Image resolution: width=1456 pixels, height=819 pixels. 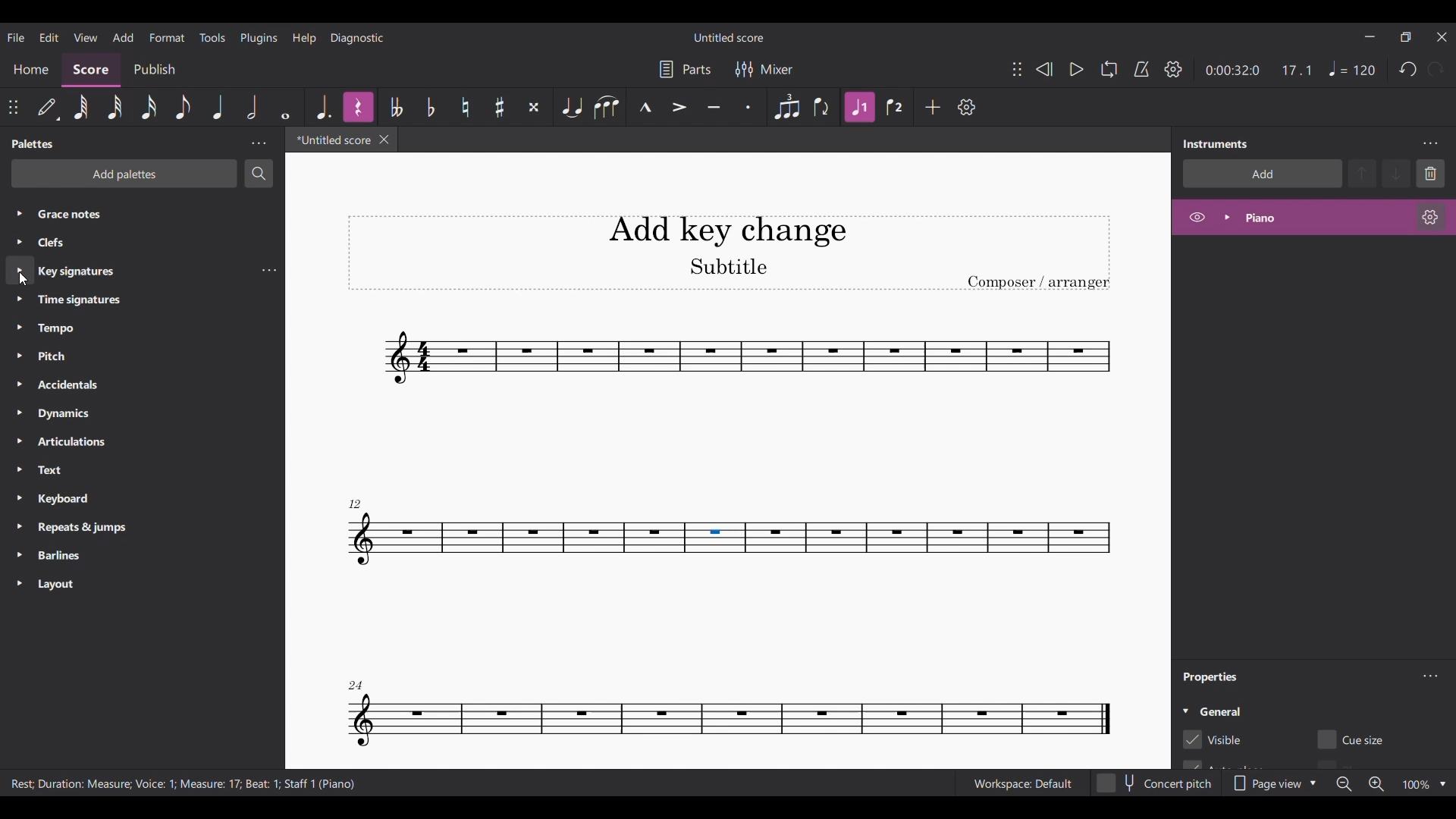 I want to click on Expand/Collapse Piano, so click(x=1227, y=218).